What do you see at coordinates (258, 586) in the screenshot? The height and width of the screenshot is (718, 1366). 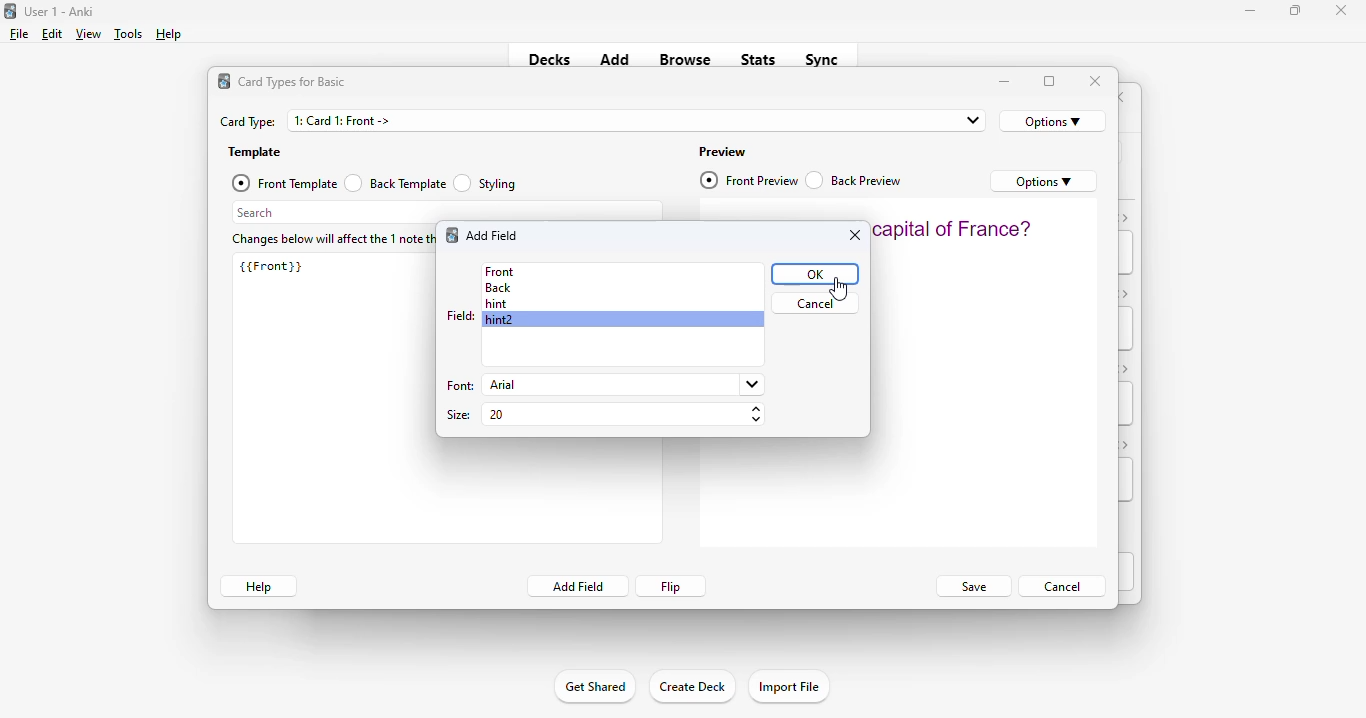 I see `help` at bounding box center [258, 586].